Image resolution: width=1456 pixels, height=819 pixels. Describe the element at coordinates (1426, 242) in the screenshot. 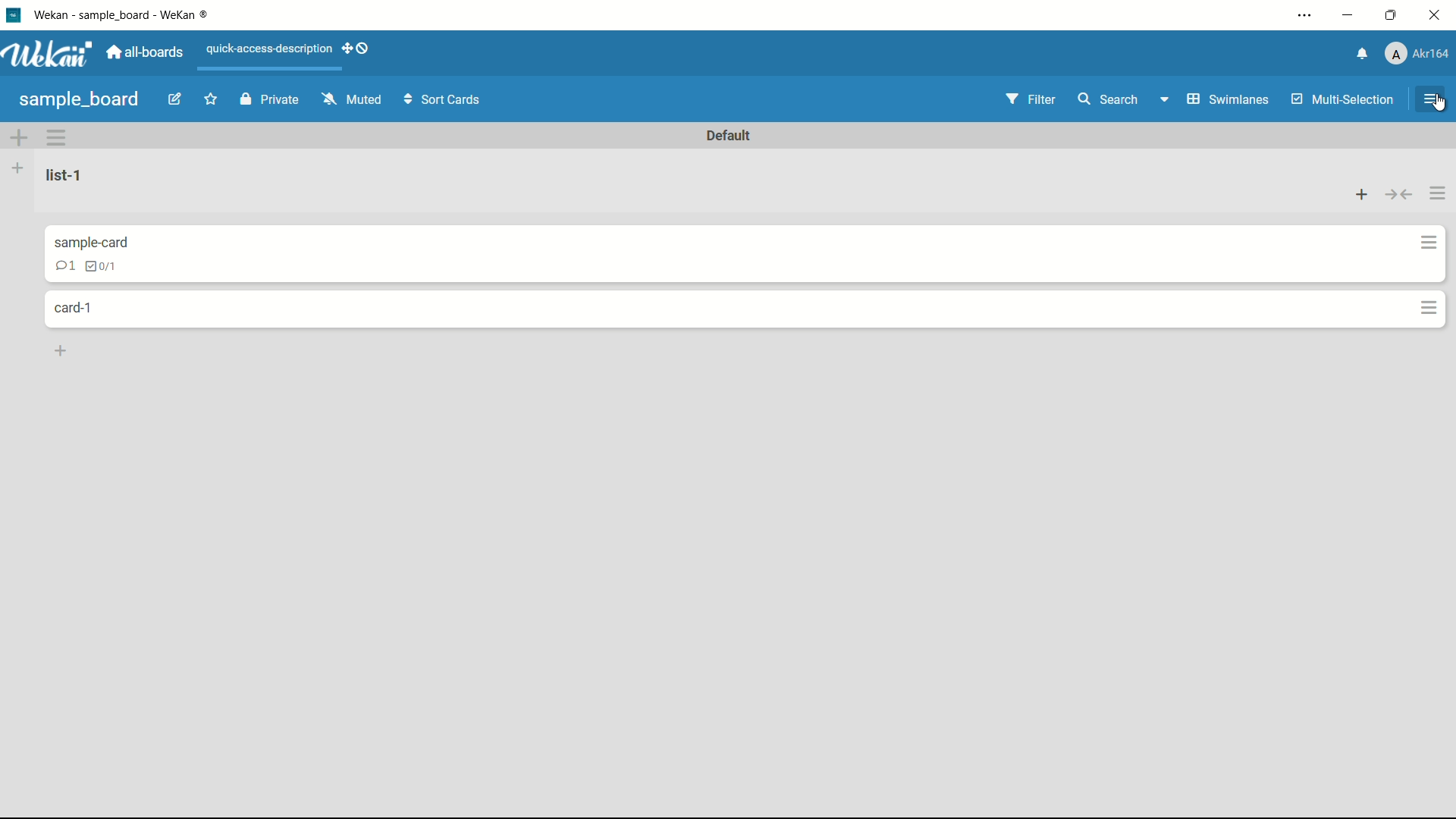

I see `card actions` at that location.